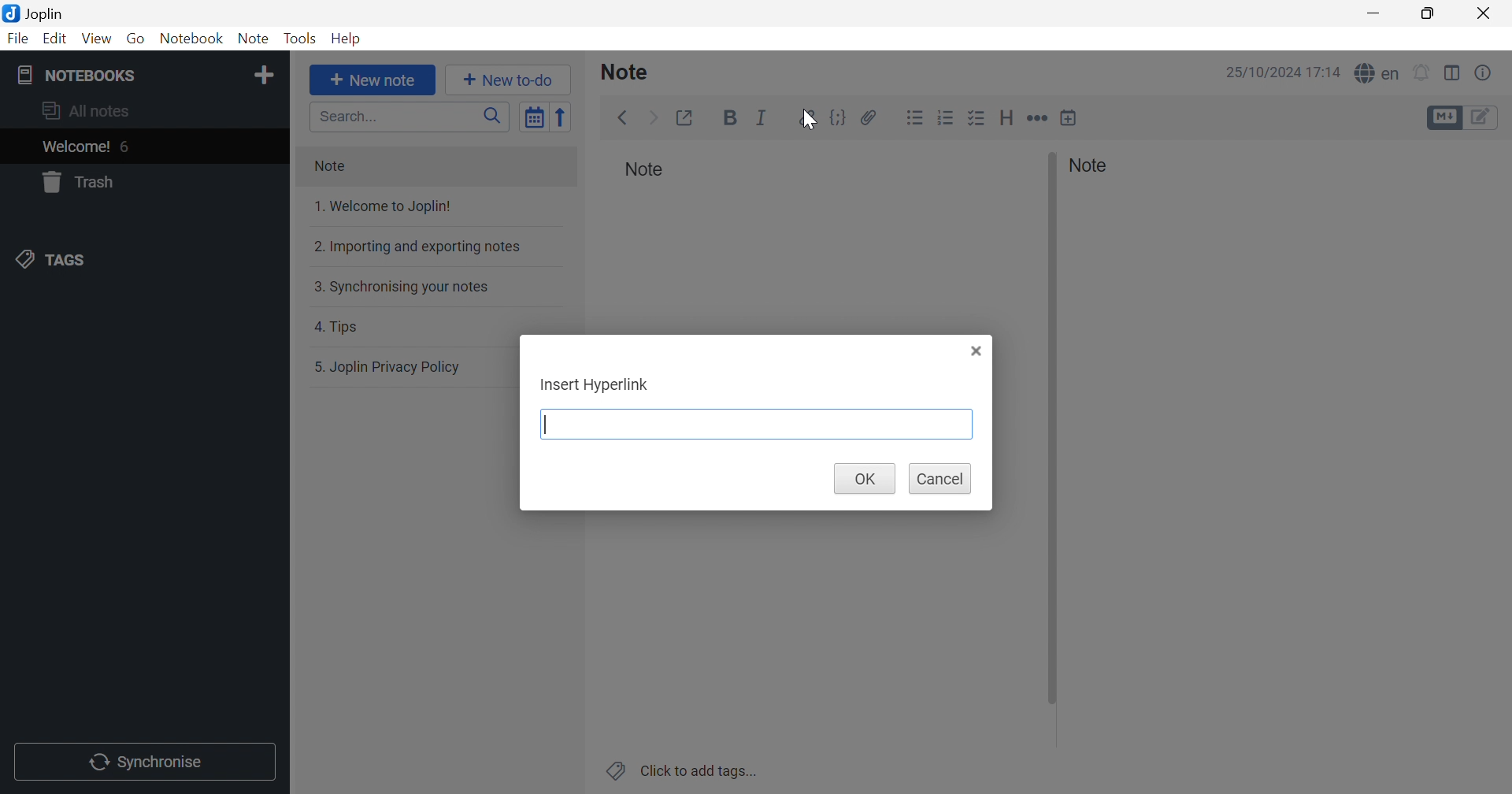 The width and height of the screenshot is (1512, 794). Describe the element at coordinates (624, 118) in the screenshot. I see `Back` at that location.